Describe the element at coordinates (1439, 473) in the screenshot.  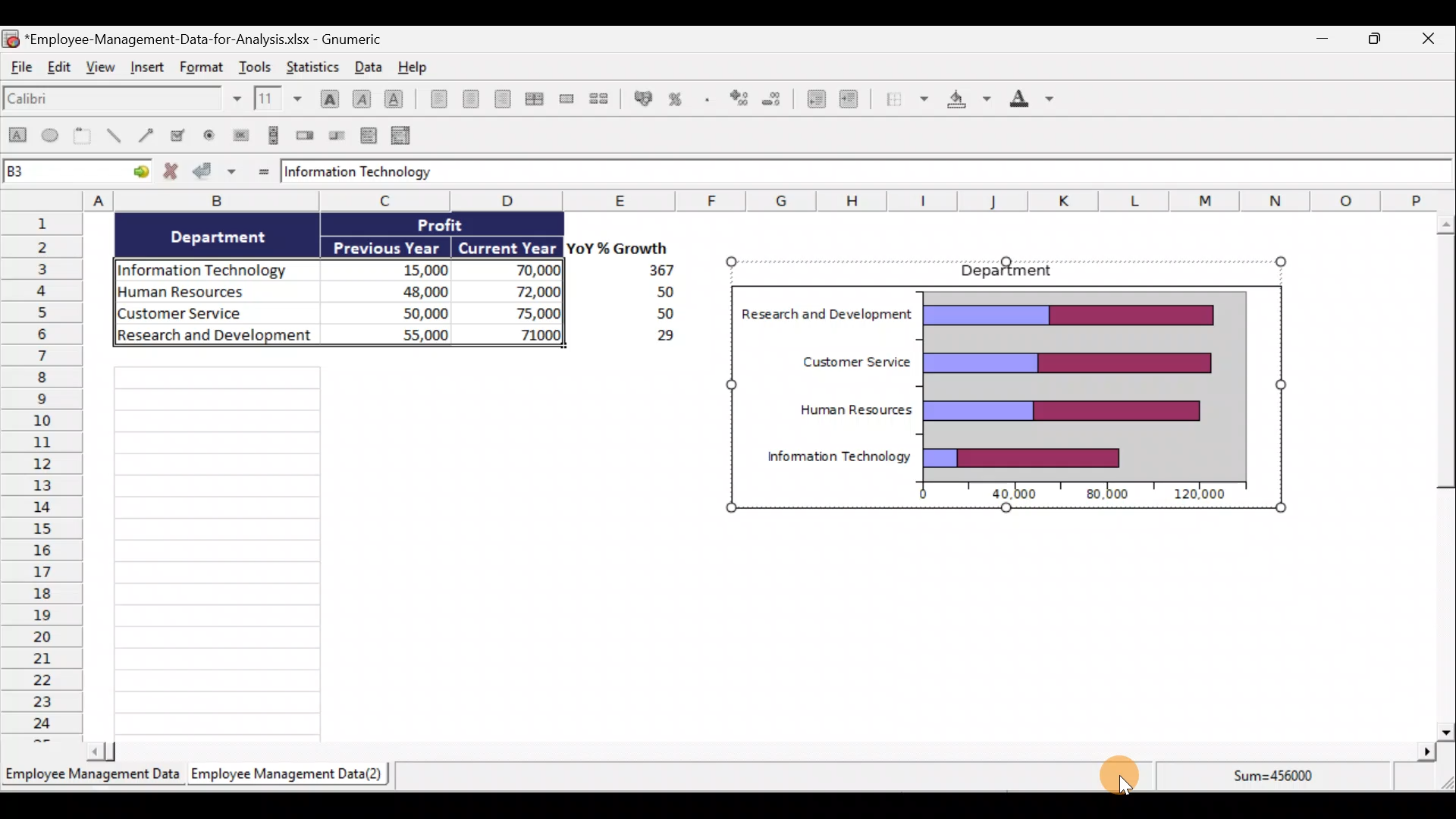
I see `Scroll bar` at that location.